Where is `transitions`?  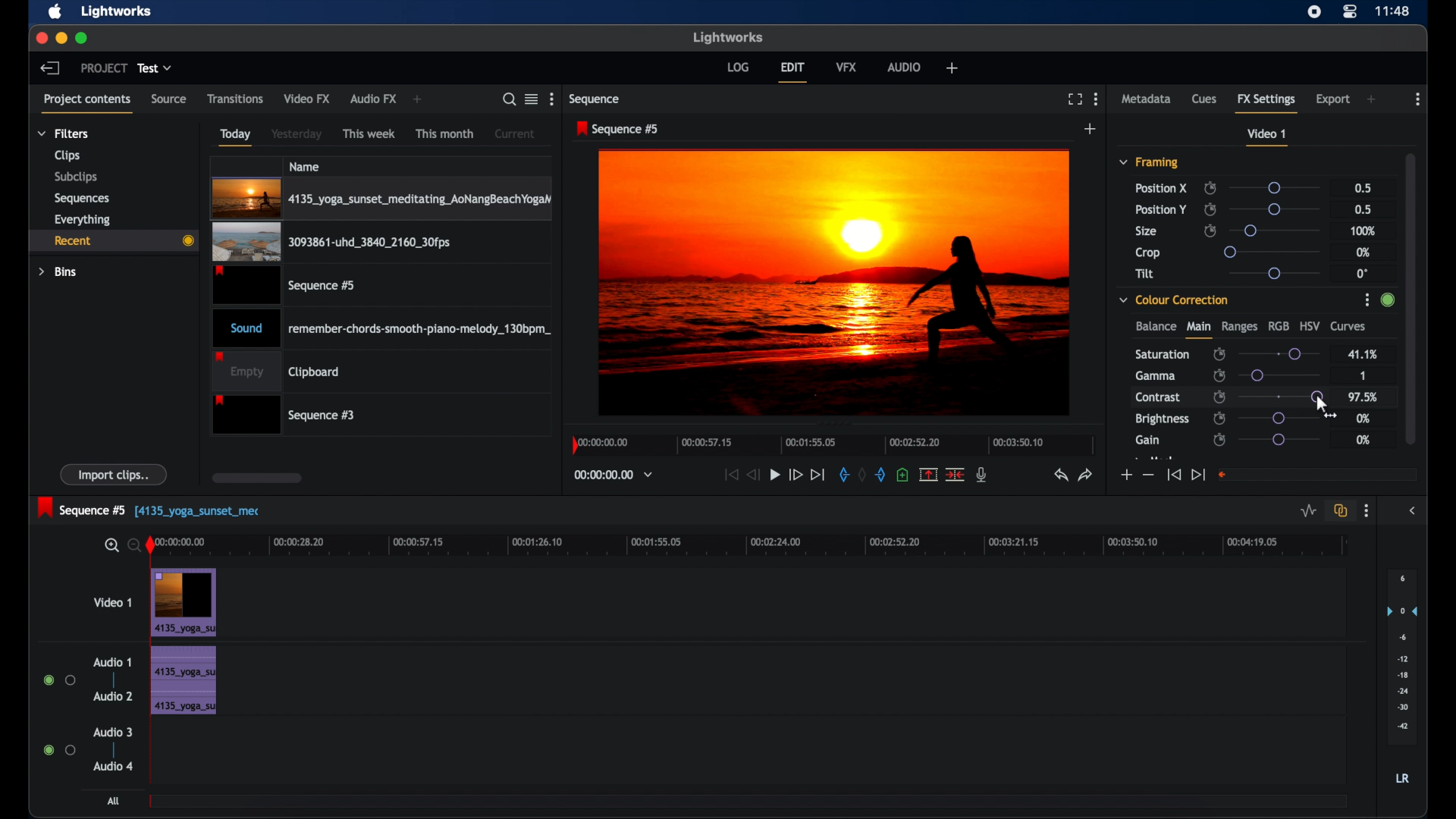
transitions is located at coordinates (235, 98).